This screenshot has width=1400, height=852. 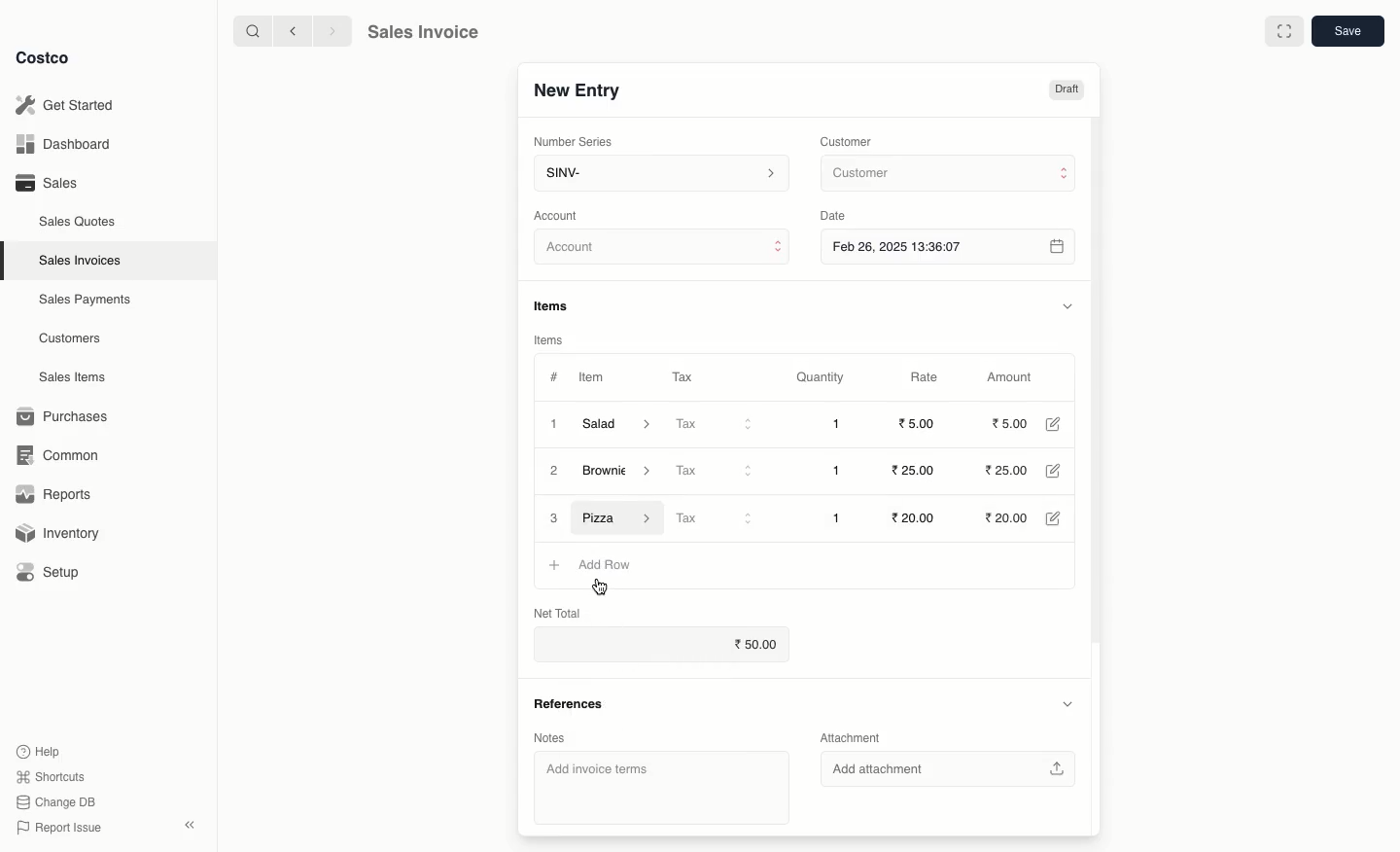 What do you see at coordinates (1053, 518) in the screenshot?
I see `Edit` at bounding box center [1053, 518].